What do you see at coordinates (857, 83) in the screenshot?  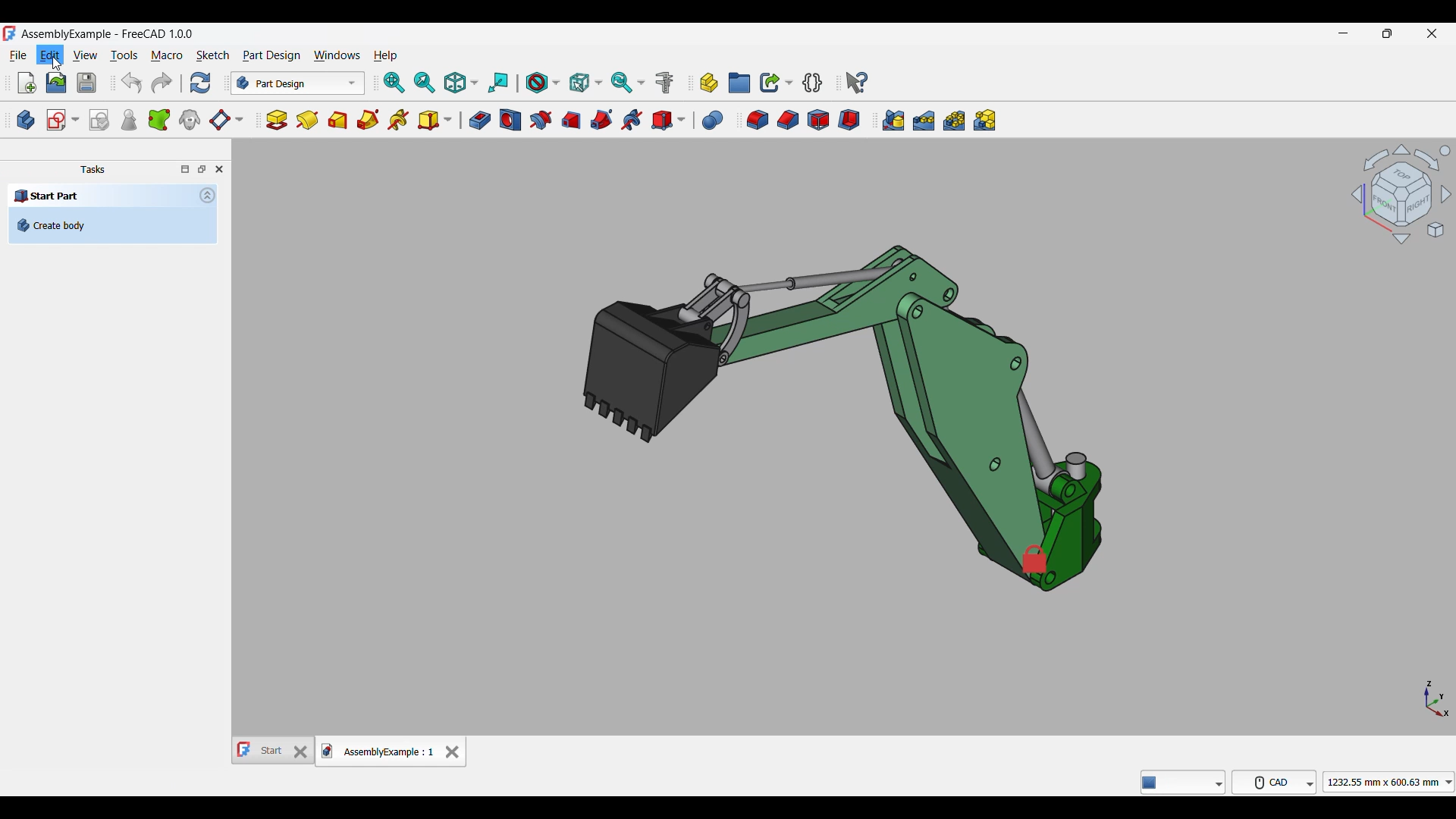 I see `What's this` at bounding box center [857, 83].